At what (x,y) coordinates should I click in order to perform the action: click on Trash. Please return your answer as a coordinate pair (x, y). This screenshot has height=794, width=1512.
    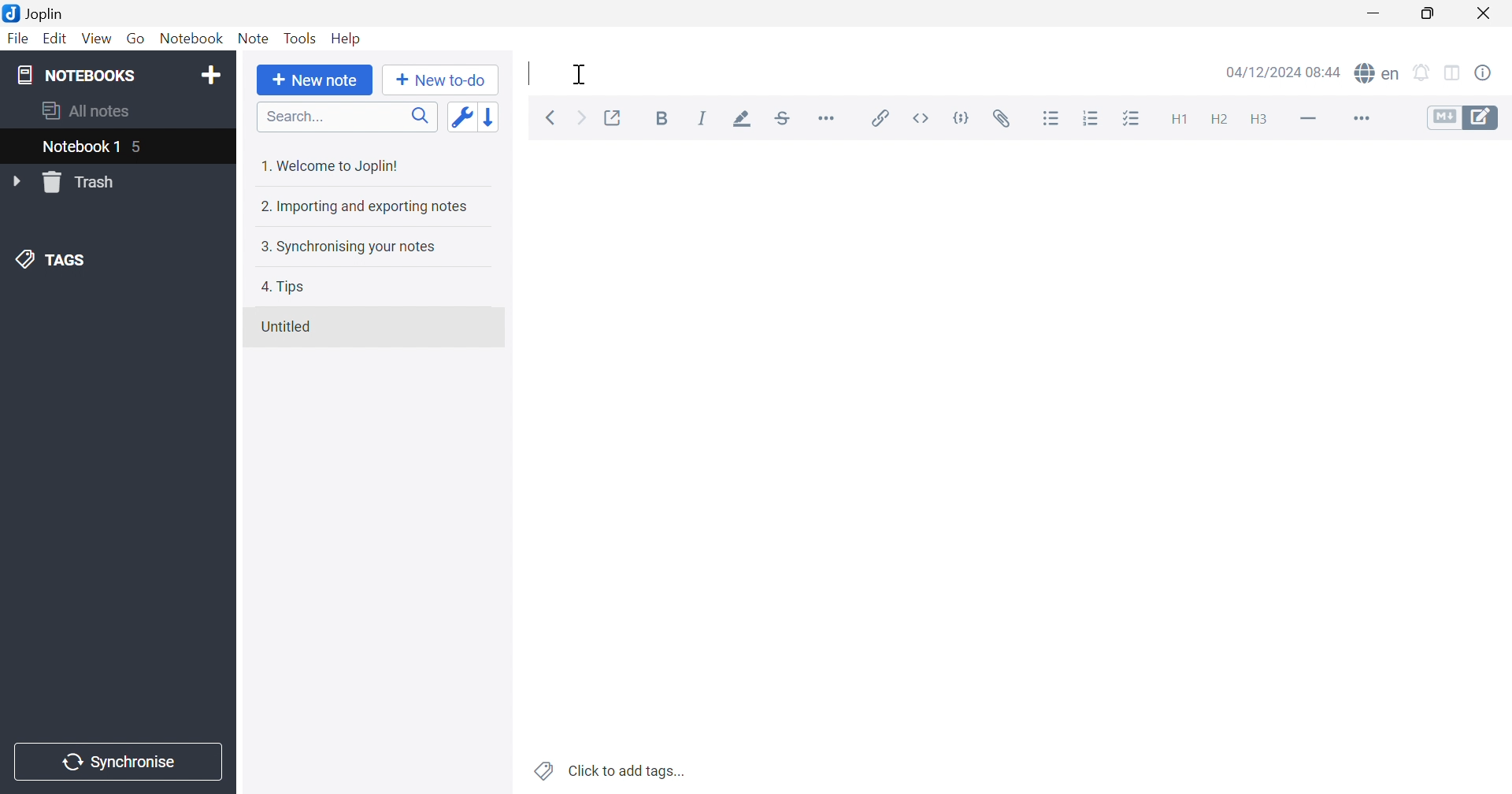
    Looking at the image, I should click on (81, 184).